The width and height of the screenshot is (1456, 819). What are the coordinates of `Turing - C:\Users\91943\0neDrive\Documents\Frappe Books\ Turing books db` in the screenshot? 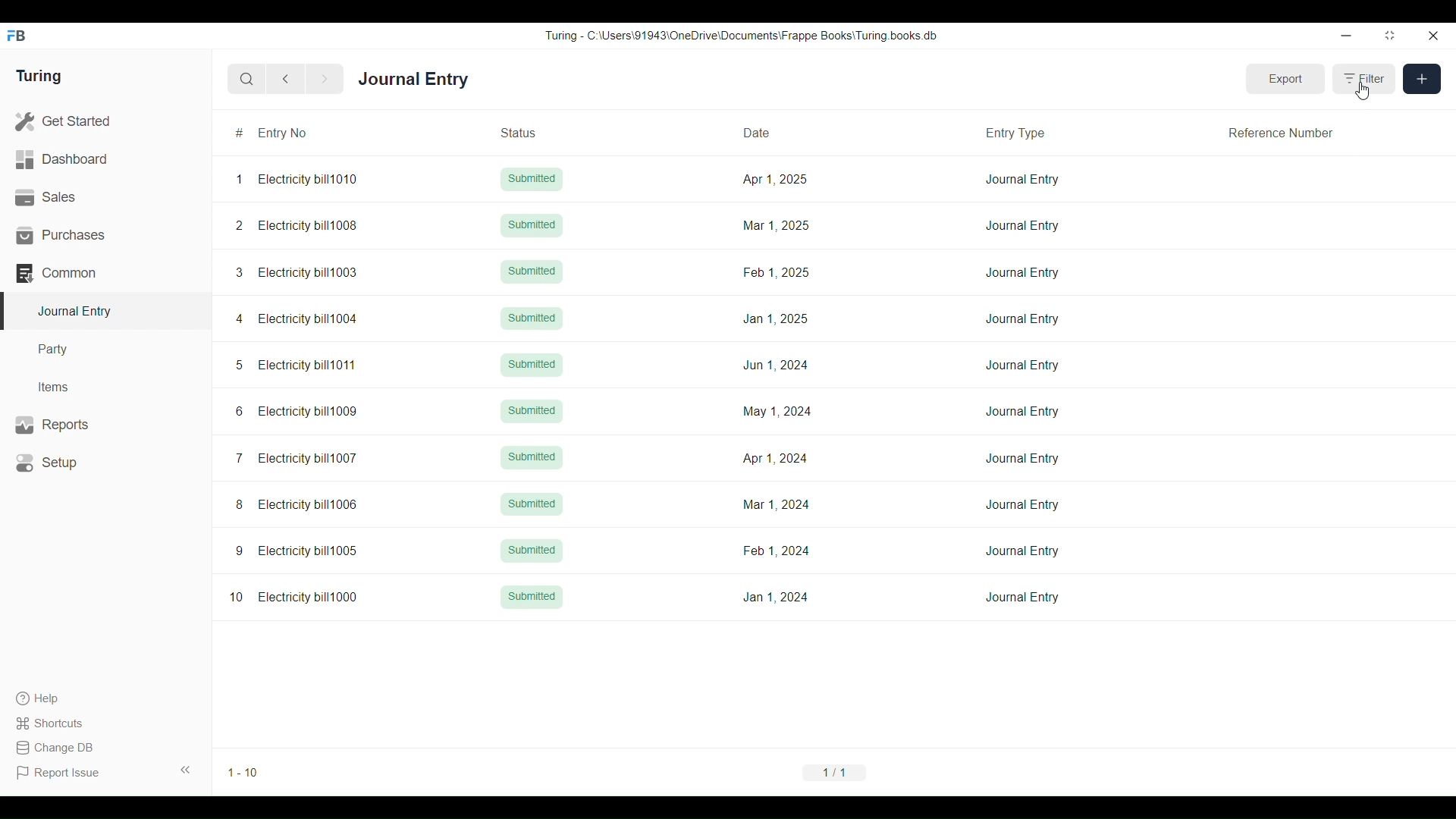 It's located at (740, 36).